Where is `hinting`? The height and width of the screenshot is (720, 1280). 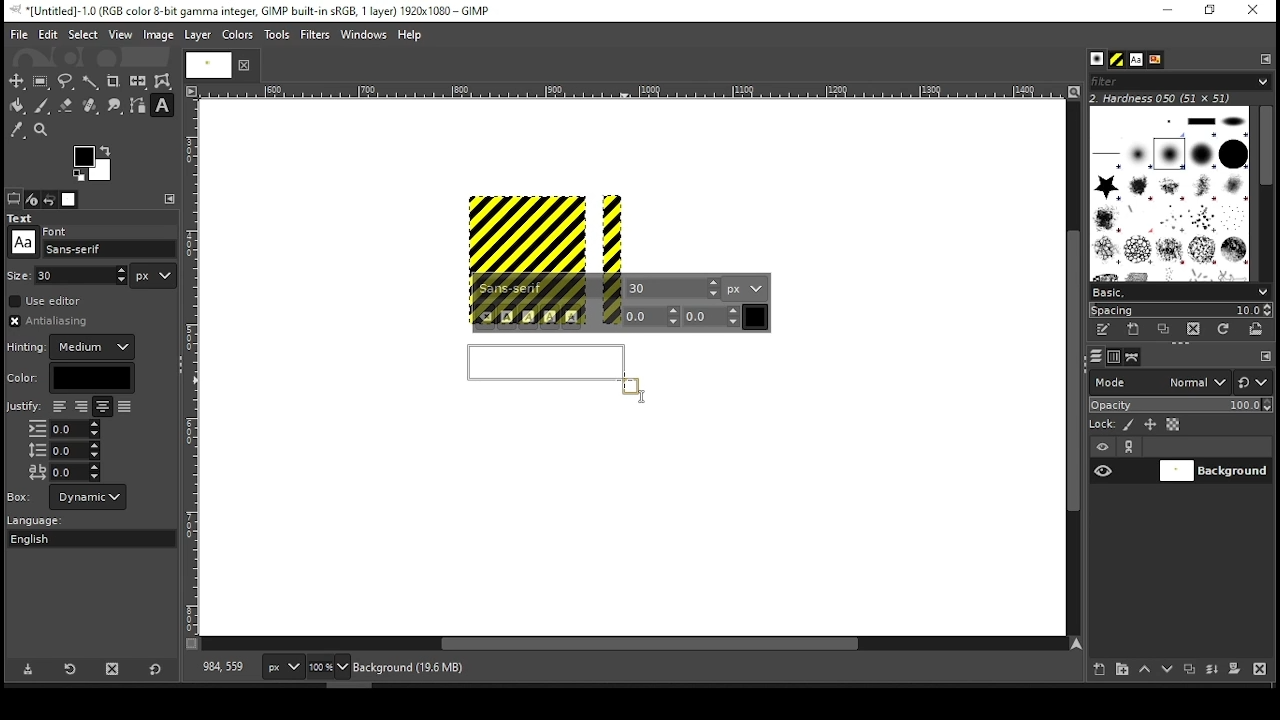 hinting is located at coordinates (73, 347).